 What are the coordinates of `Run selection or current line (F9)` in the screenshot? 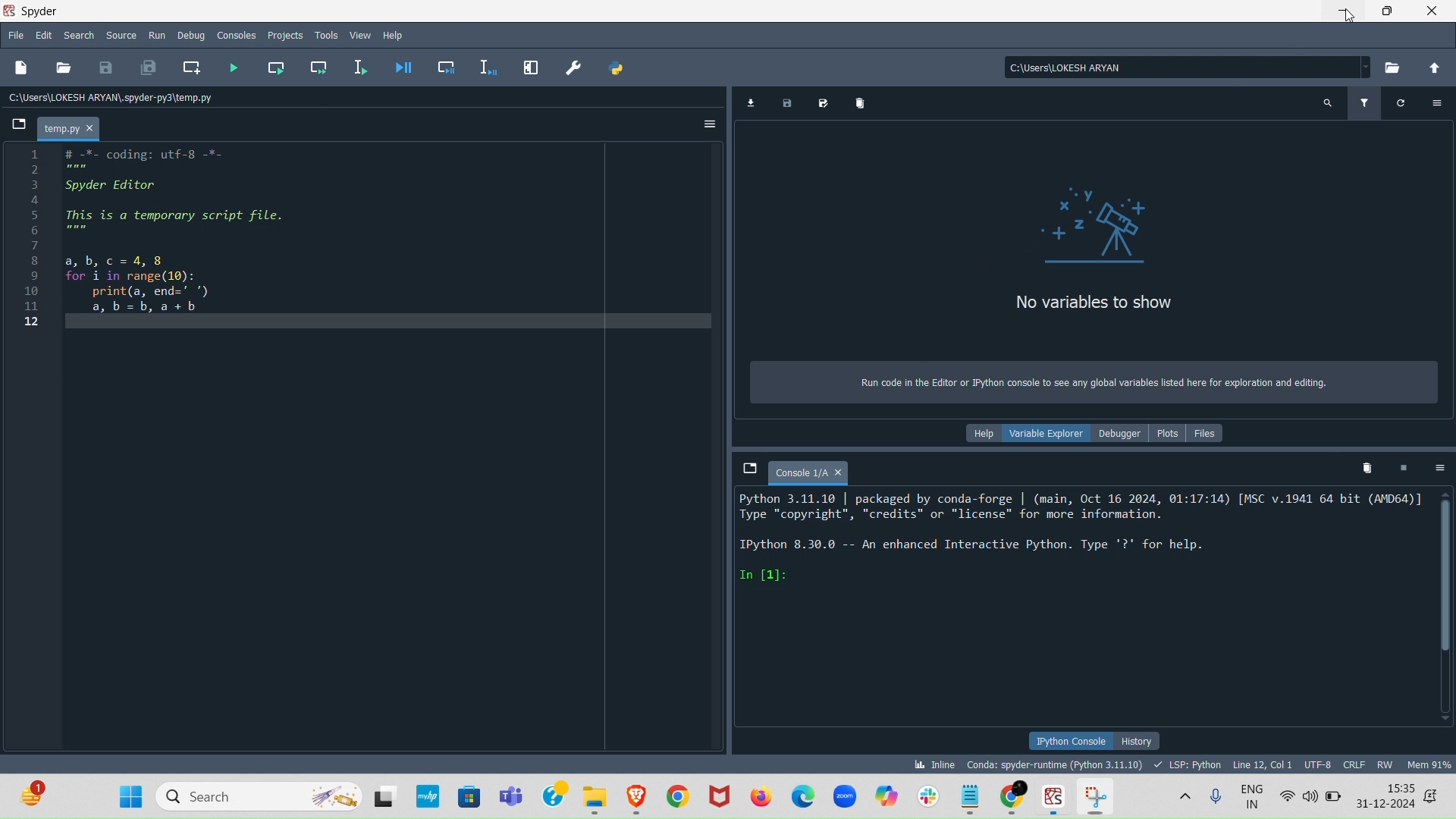 It's located at (362, 64).